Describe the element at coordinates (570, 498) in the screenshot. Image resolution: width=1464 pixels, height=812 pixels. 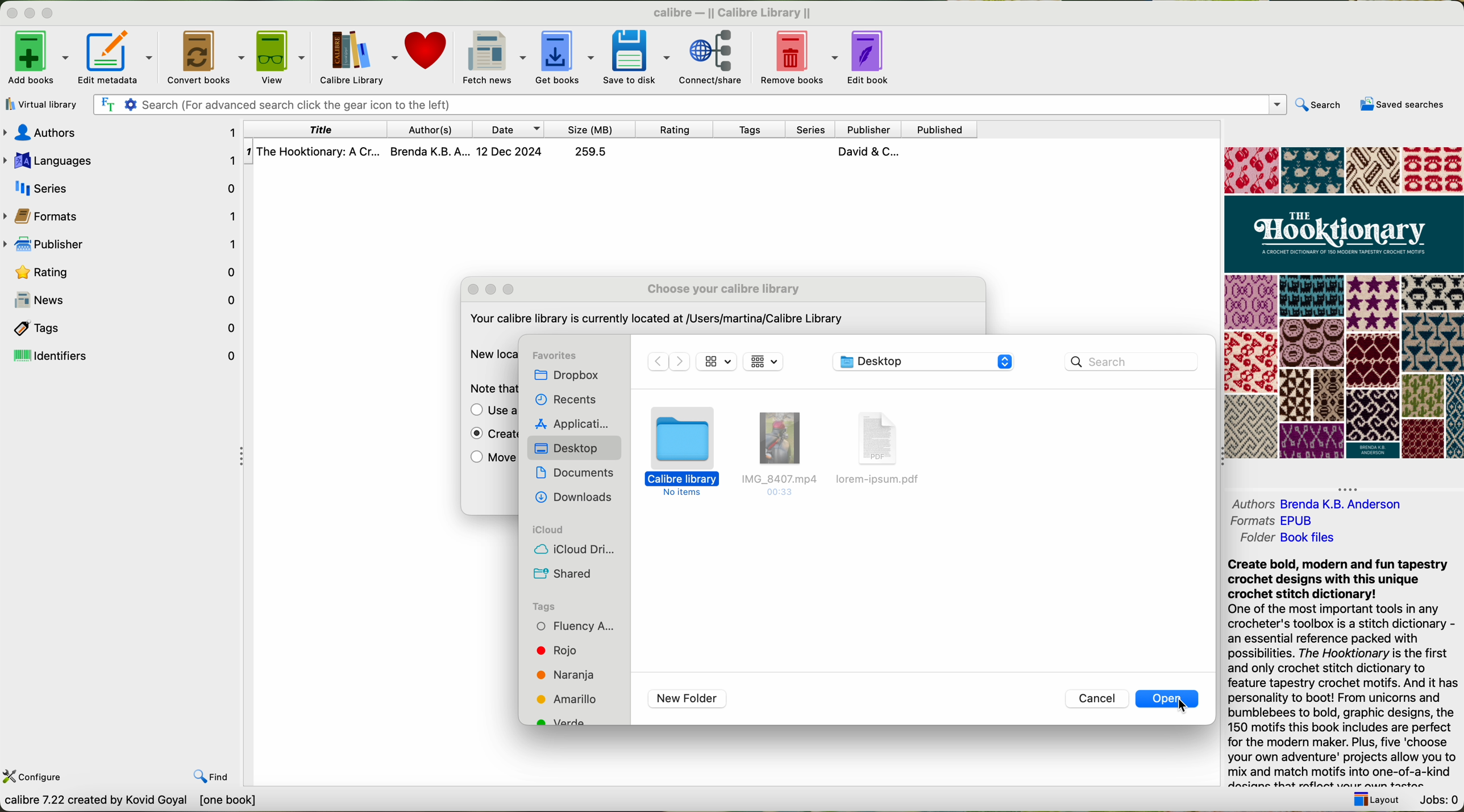
I see `downloads` at that location.